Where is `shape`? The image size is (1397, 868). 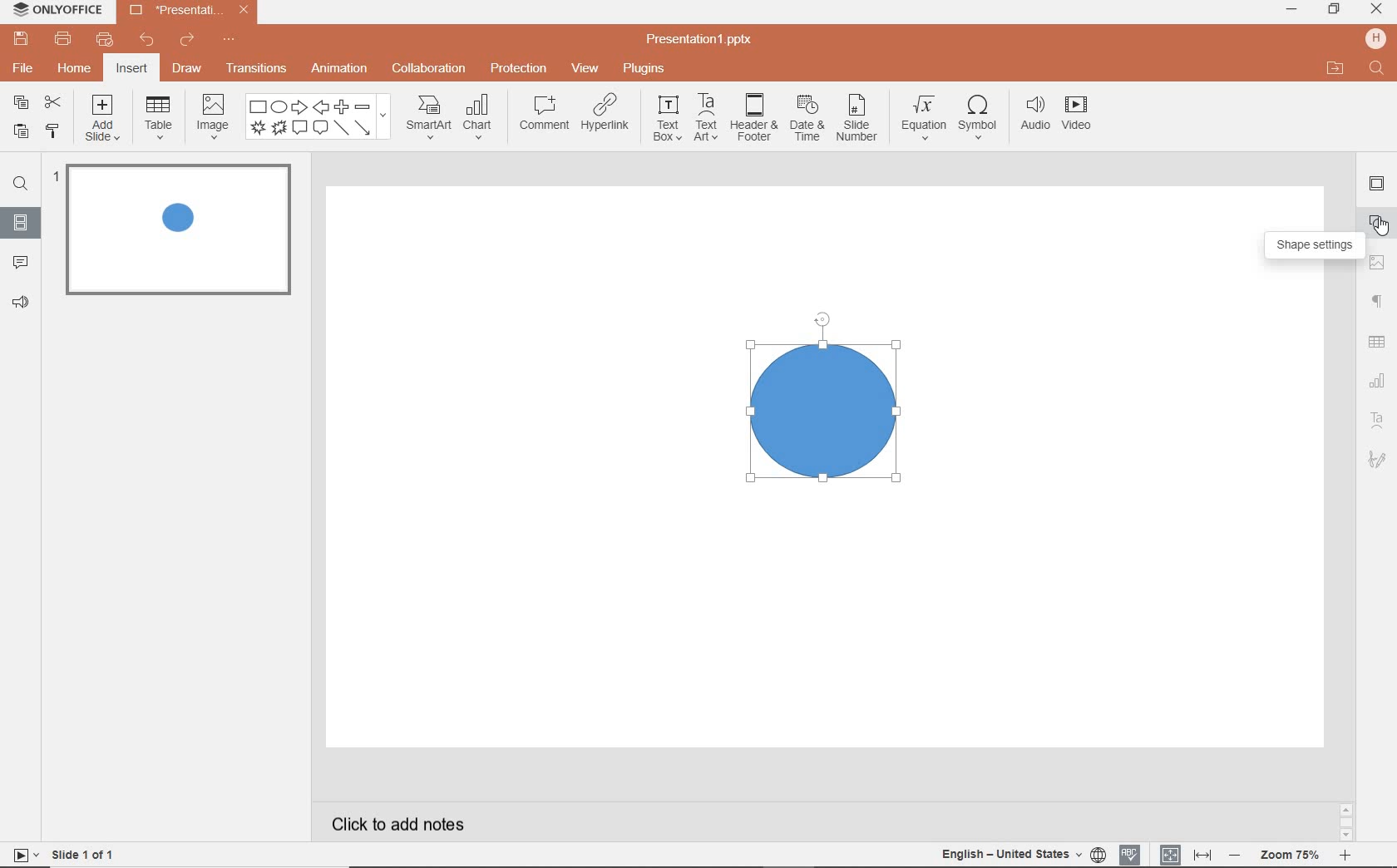 shape is located at coordinates (825, 398).